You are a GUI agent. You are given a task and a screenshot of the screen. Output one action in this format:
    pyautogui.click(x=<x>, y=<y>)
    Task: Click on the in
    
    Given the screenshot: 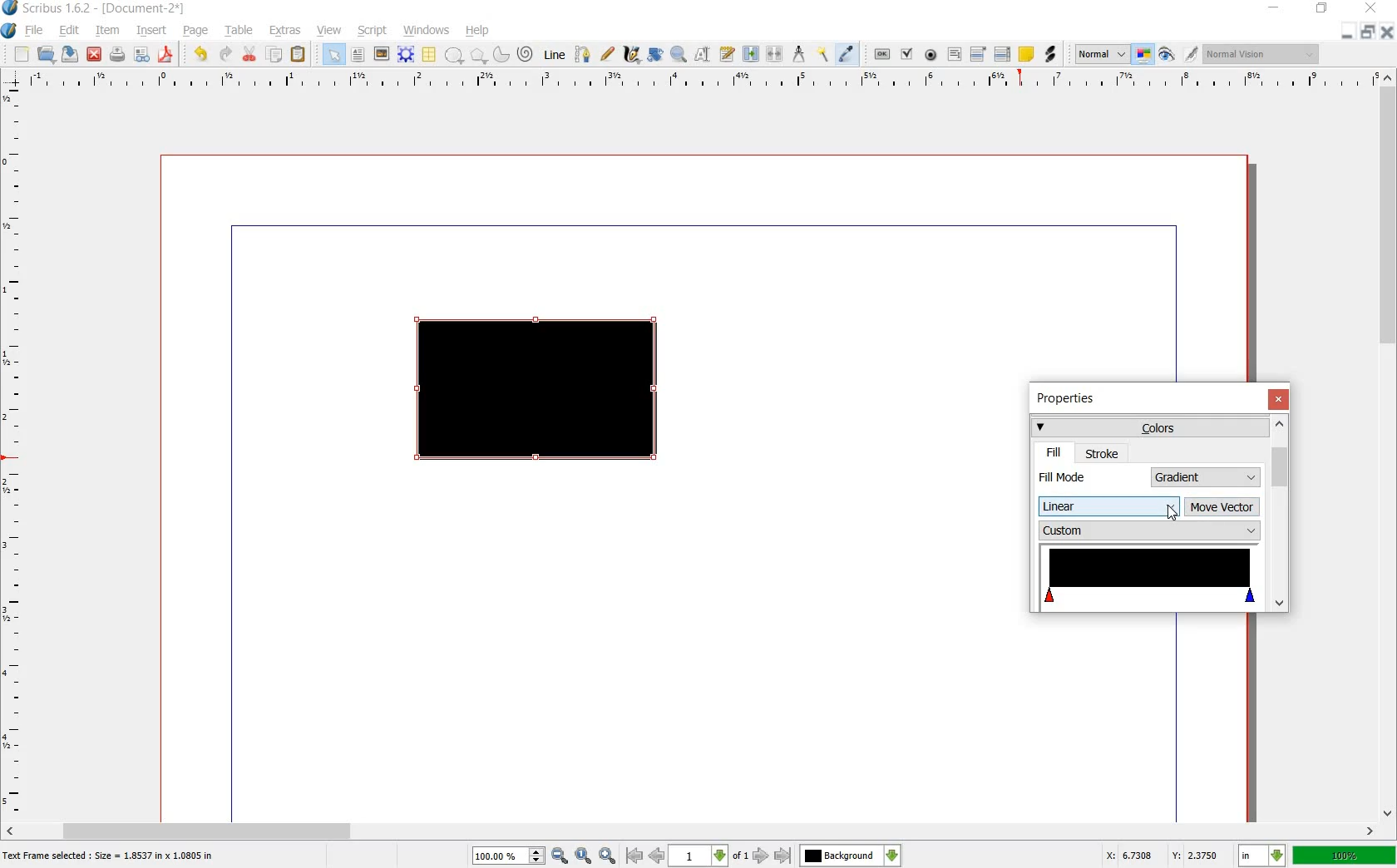 What is the action you would take?
    pyautogui.click(x=1263, y=856)
    